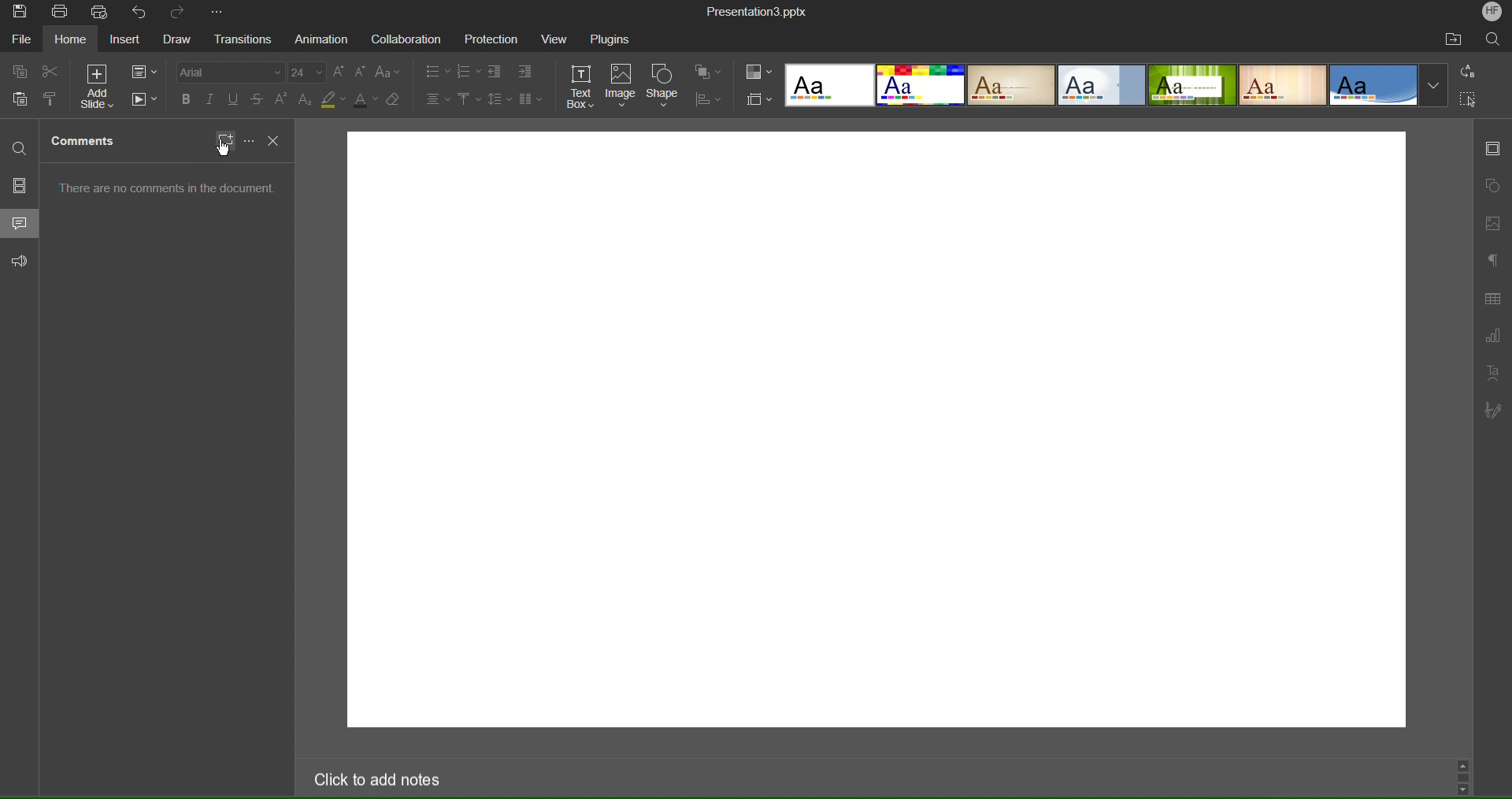 This screenshot has height=799, width=1512. Describe the element at coordinates (20, 185) in the screenshot. I see `Slides` at that location.